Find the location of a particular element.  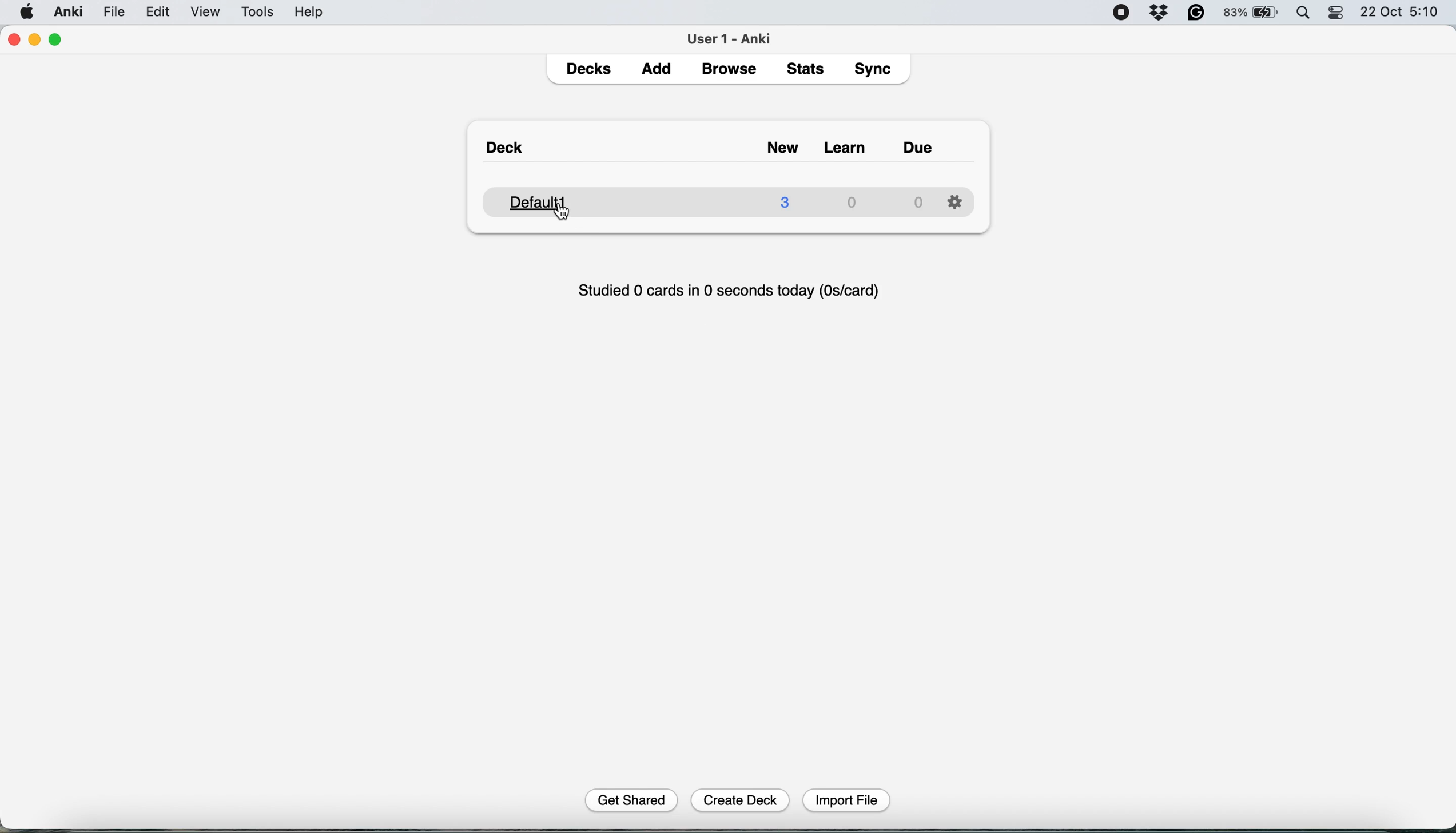

spotlight search is located at coordinates (1306, 14).